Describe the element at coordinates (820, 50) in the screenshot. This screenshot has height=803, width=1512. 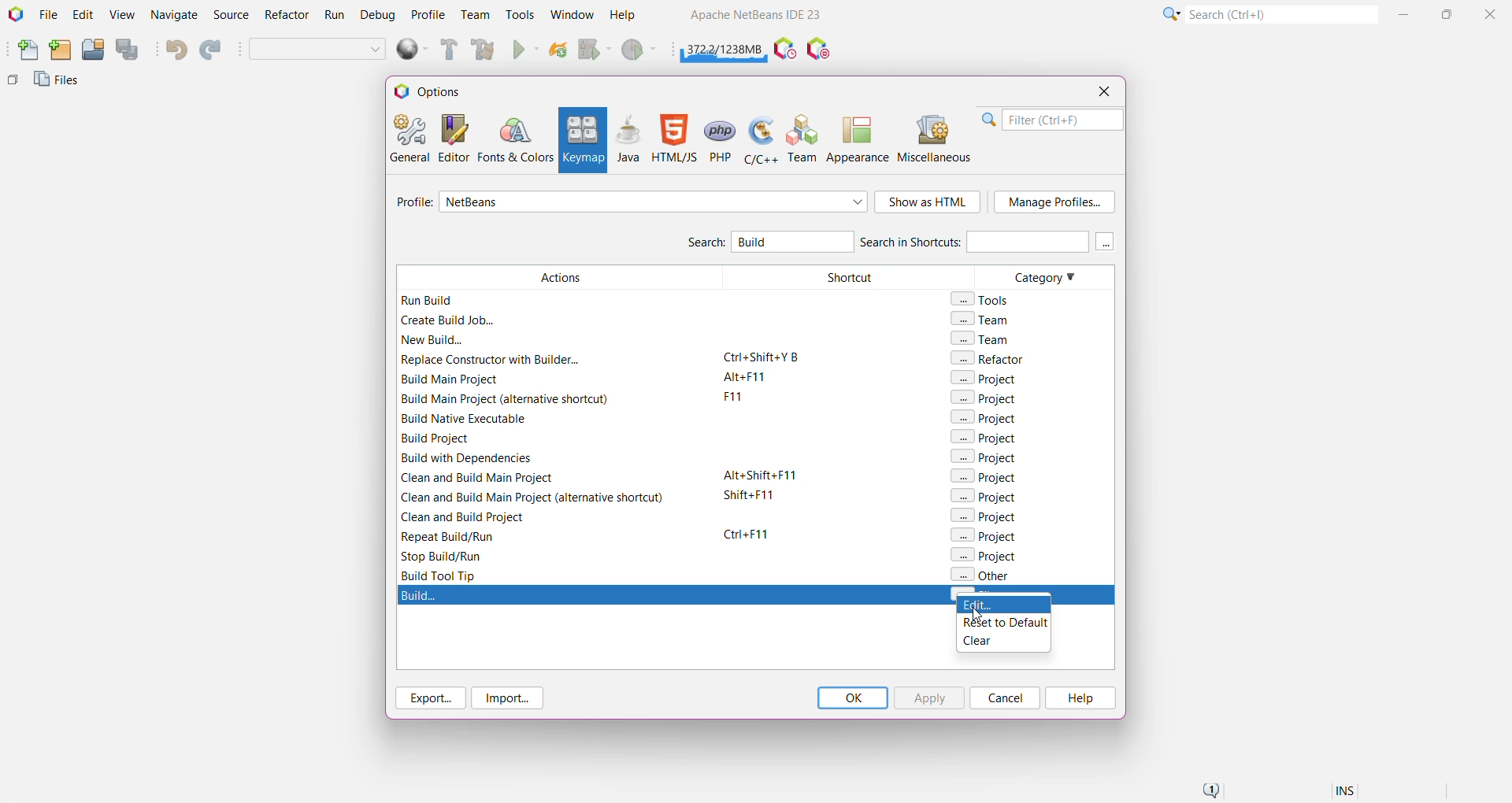
I see `Pause I/O Checks` at that location.